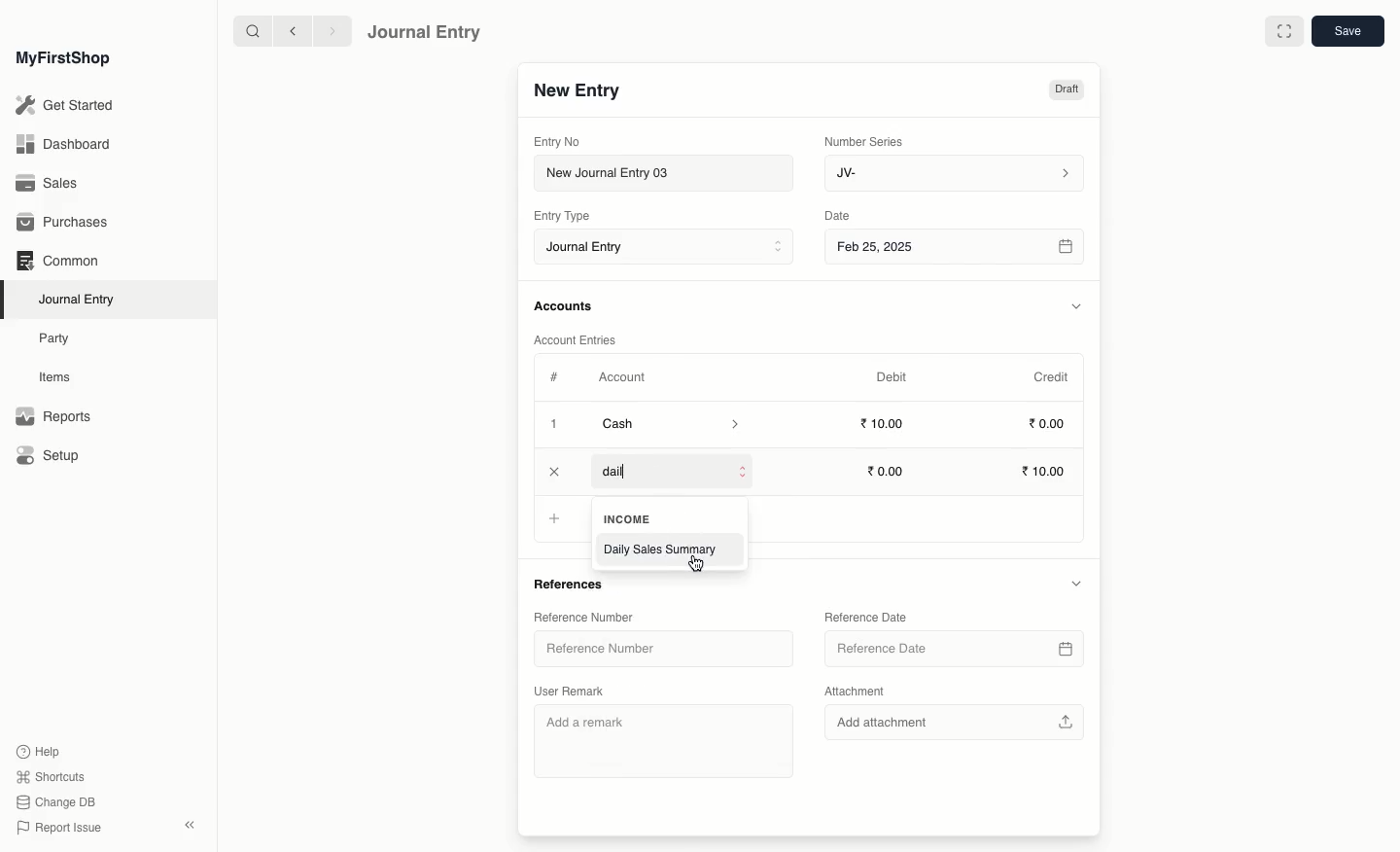 The image size is (1400, 852). Describe the element at coordinates (558, 378) in the screenshot. I see `Hashtag` at that location.